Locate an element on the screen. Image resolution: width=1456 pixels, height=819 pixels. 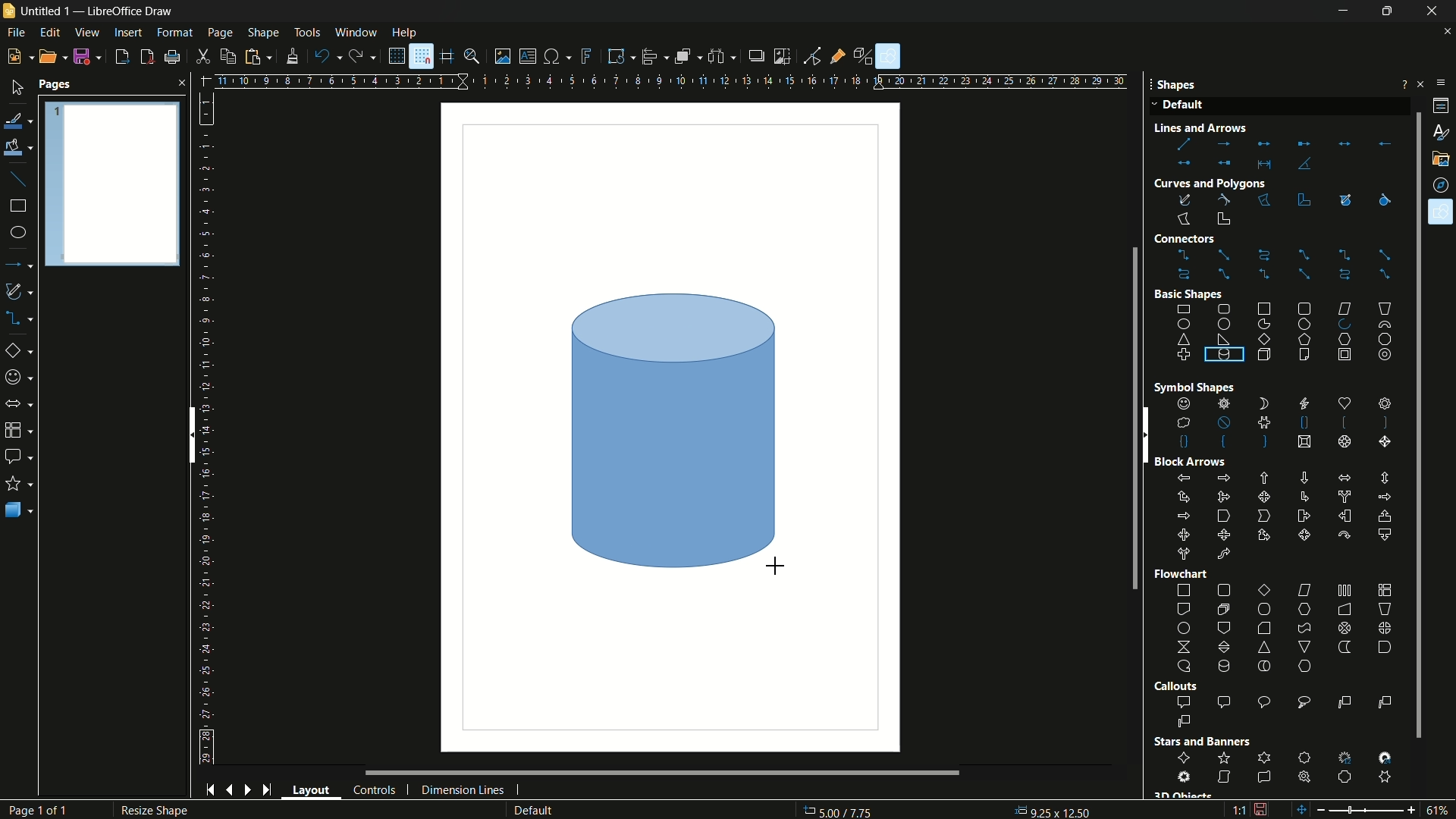
Pages is located at coordinates (112, 182).